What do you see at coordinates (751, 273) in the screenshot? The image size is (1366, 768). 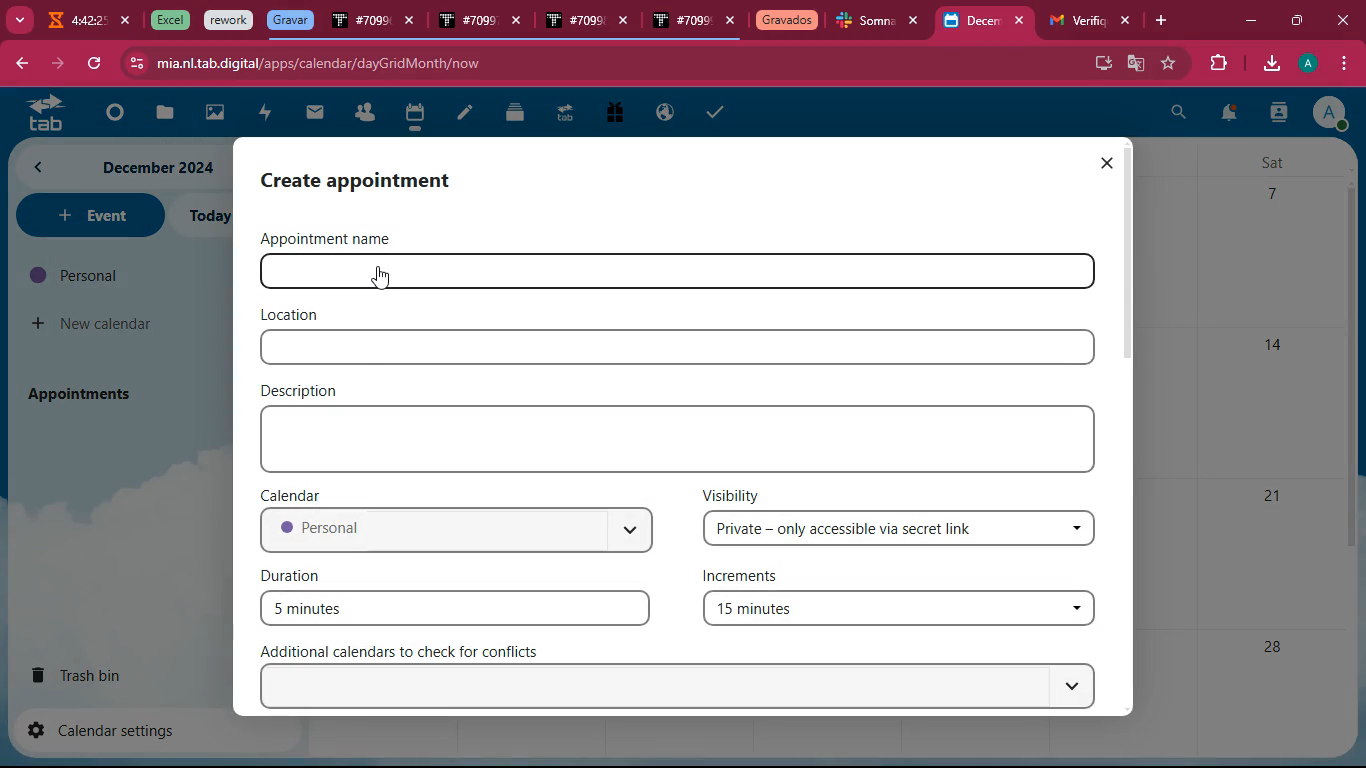 I see `type` at bounding box center [751, 273].